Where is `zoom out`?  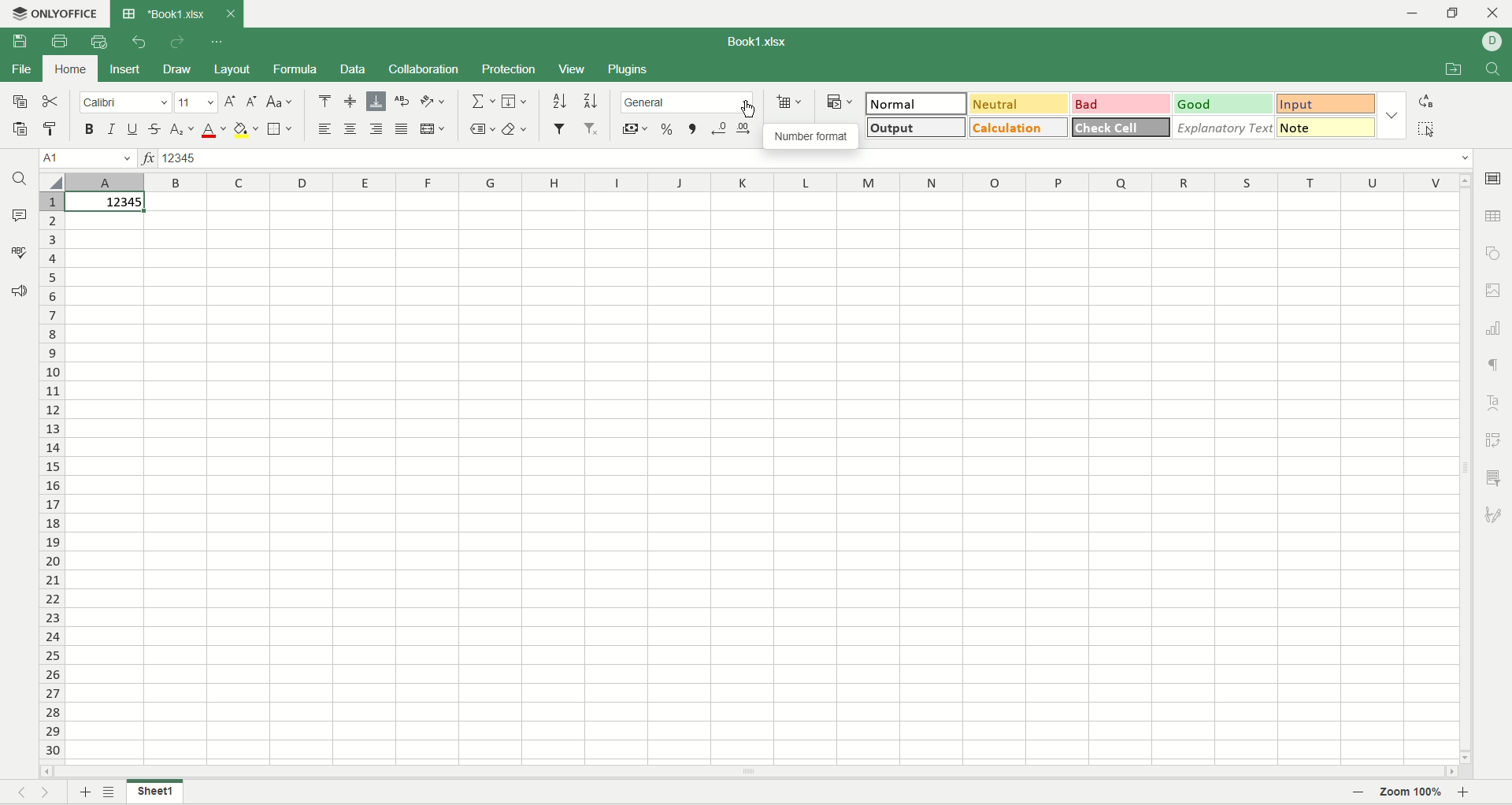 zoom out is located at coordinates (1359, 793).